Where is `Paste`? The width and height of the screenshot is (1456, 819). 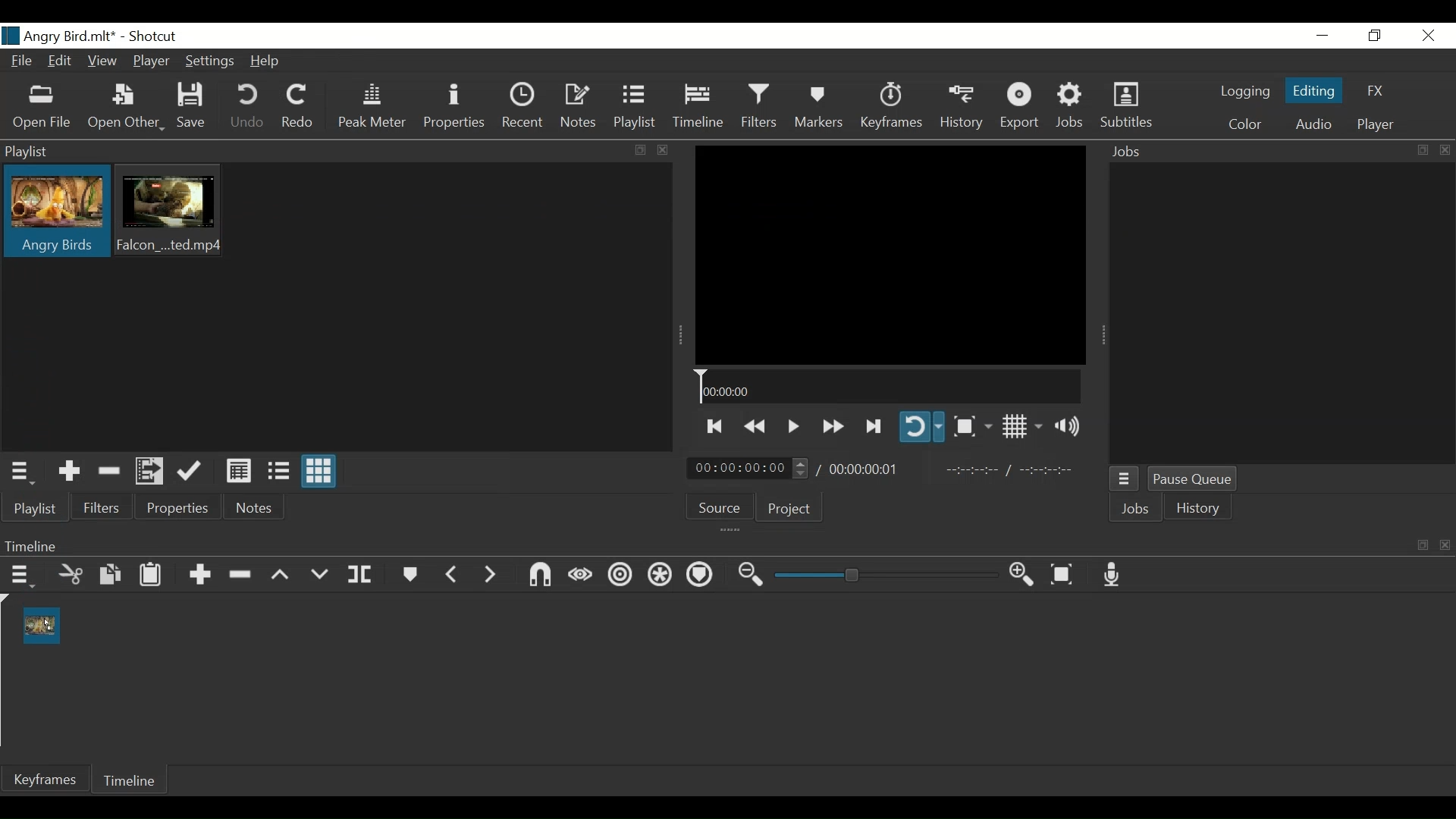
Paste is located at coordinates (149, 575).